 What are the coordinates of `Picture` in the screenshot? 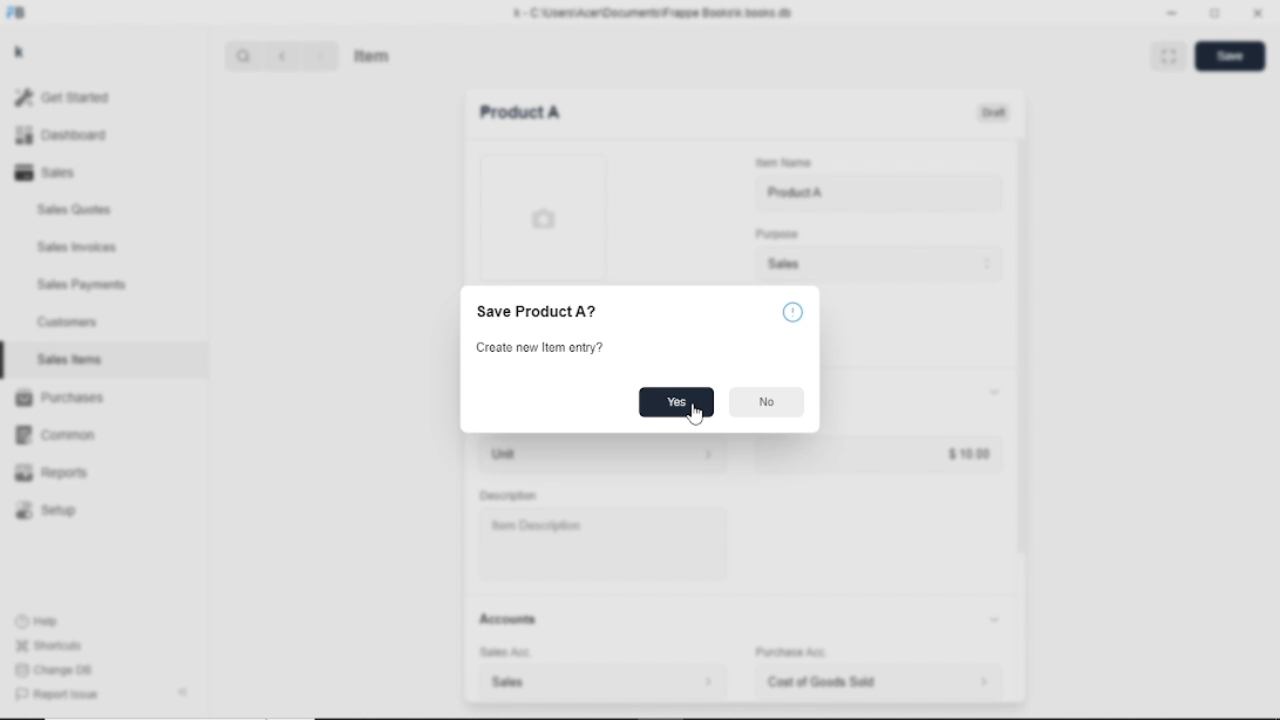 It's located at (542, 218).